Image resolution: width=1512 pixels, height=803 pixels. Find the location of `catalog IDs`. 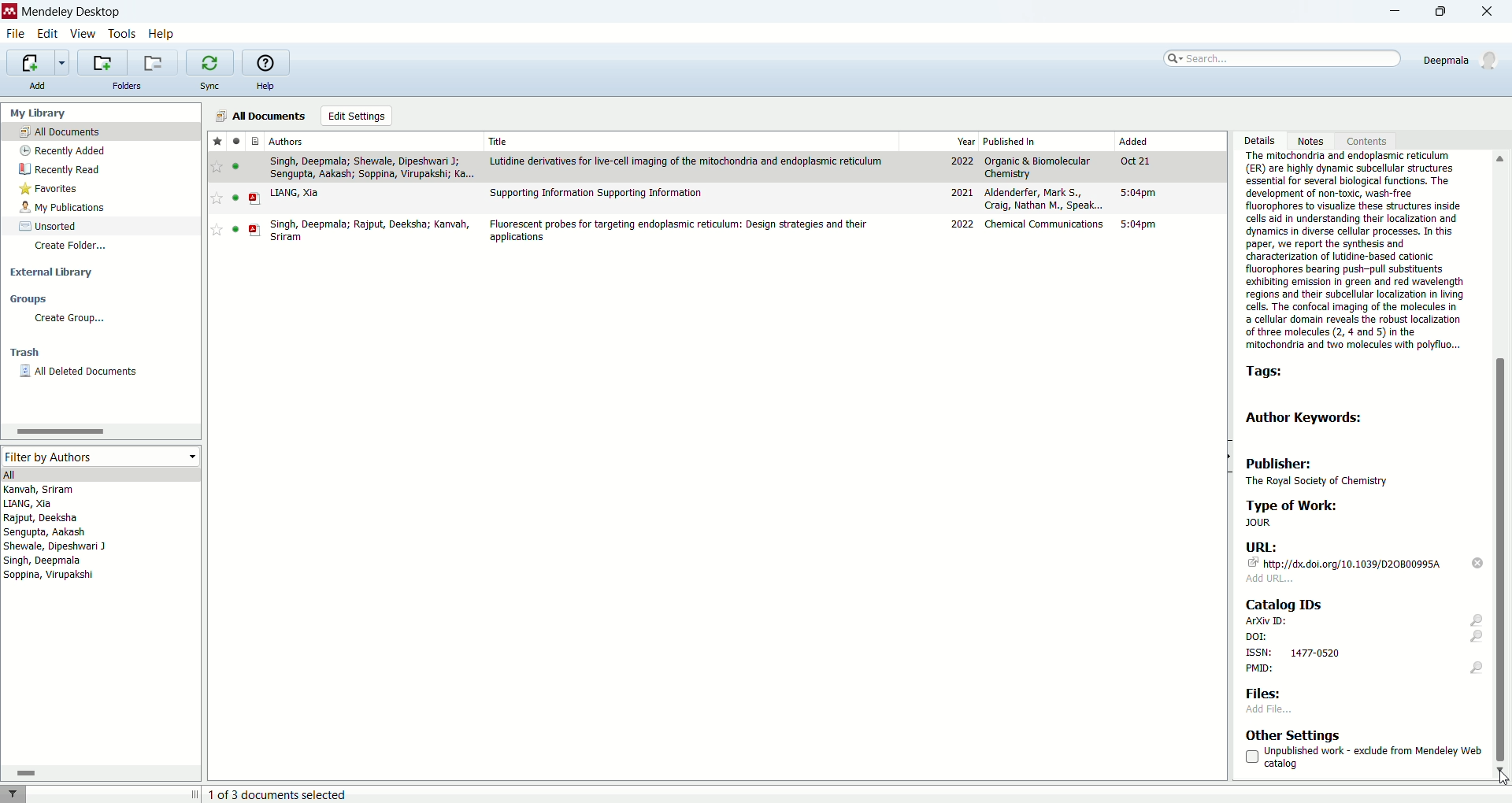

catalog IDs is located at coordinates (1282, 603).